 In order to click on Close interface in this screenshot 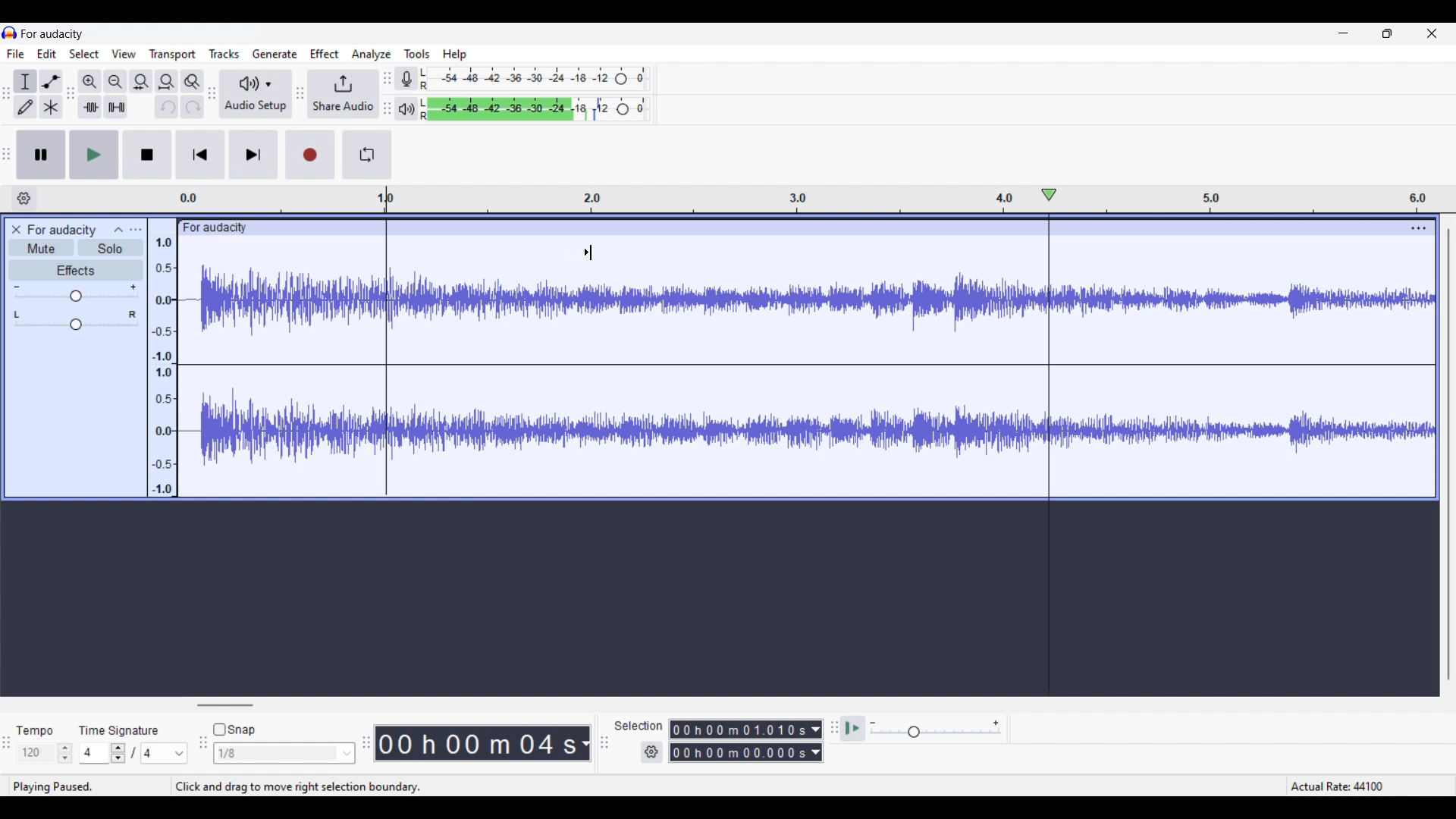, I will do `click(1432, 33)`.